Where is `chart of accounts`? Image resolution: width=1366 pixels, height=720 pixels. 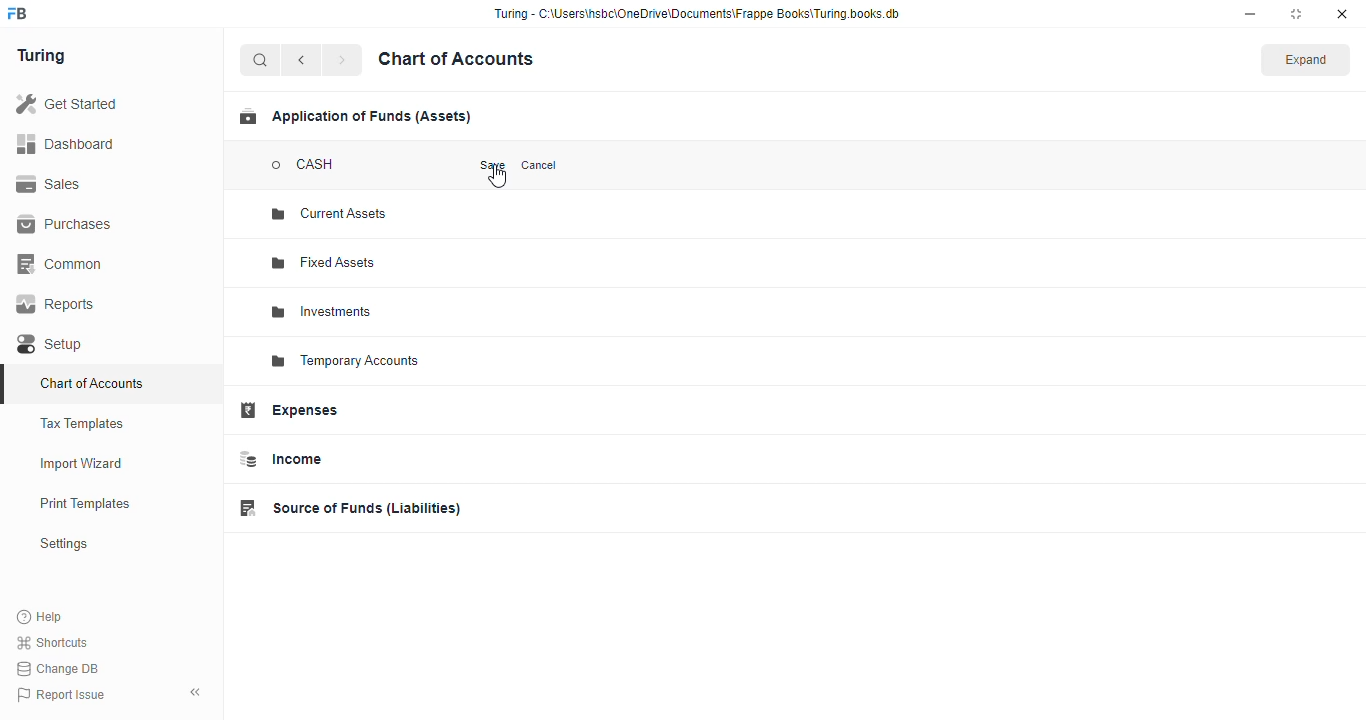
chart of accounts is located at coordinates (456, 59).